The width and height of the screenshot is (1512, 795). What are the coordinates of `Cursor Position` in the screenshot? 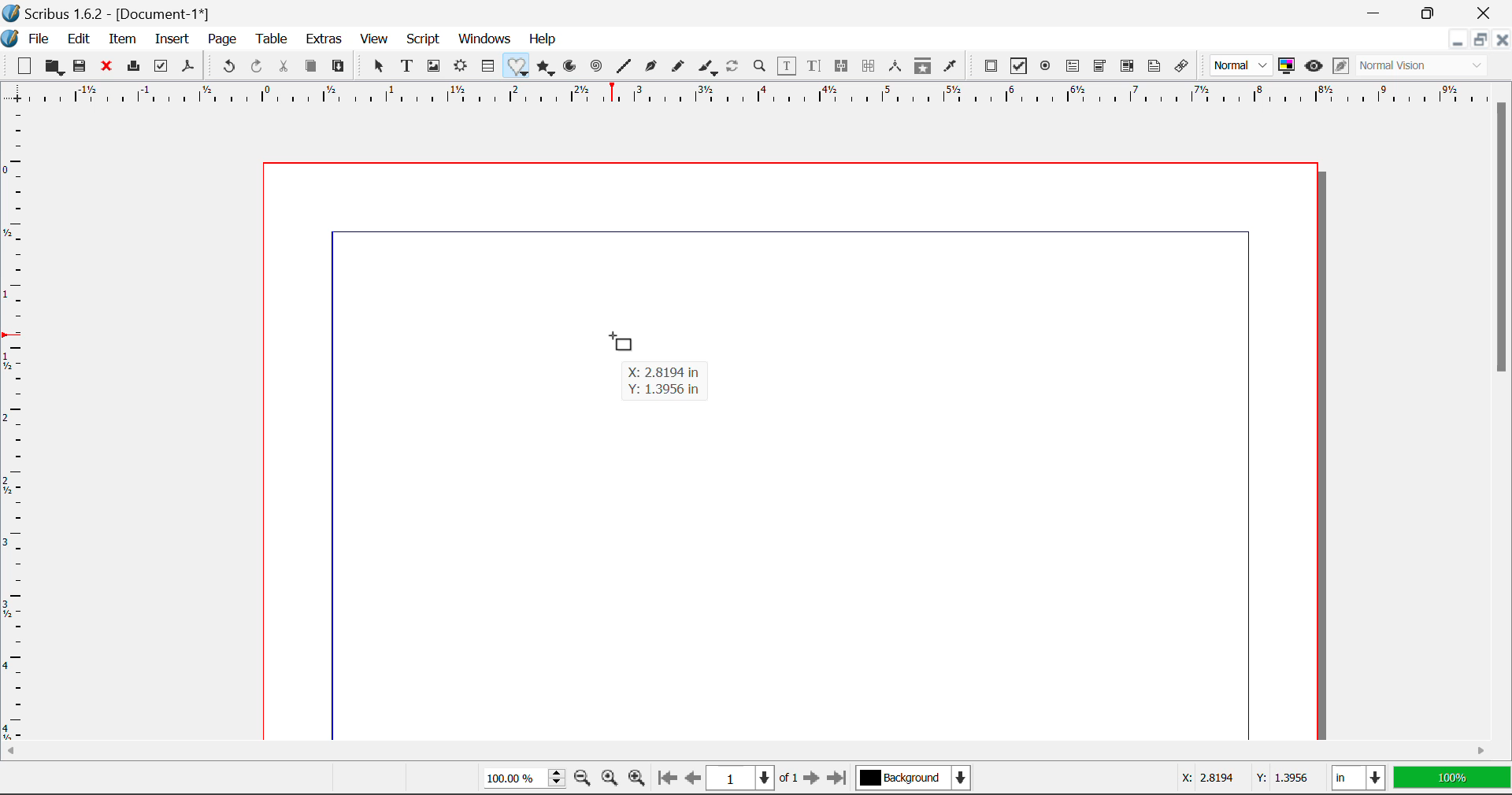 It's located at (1237, 779).